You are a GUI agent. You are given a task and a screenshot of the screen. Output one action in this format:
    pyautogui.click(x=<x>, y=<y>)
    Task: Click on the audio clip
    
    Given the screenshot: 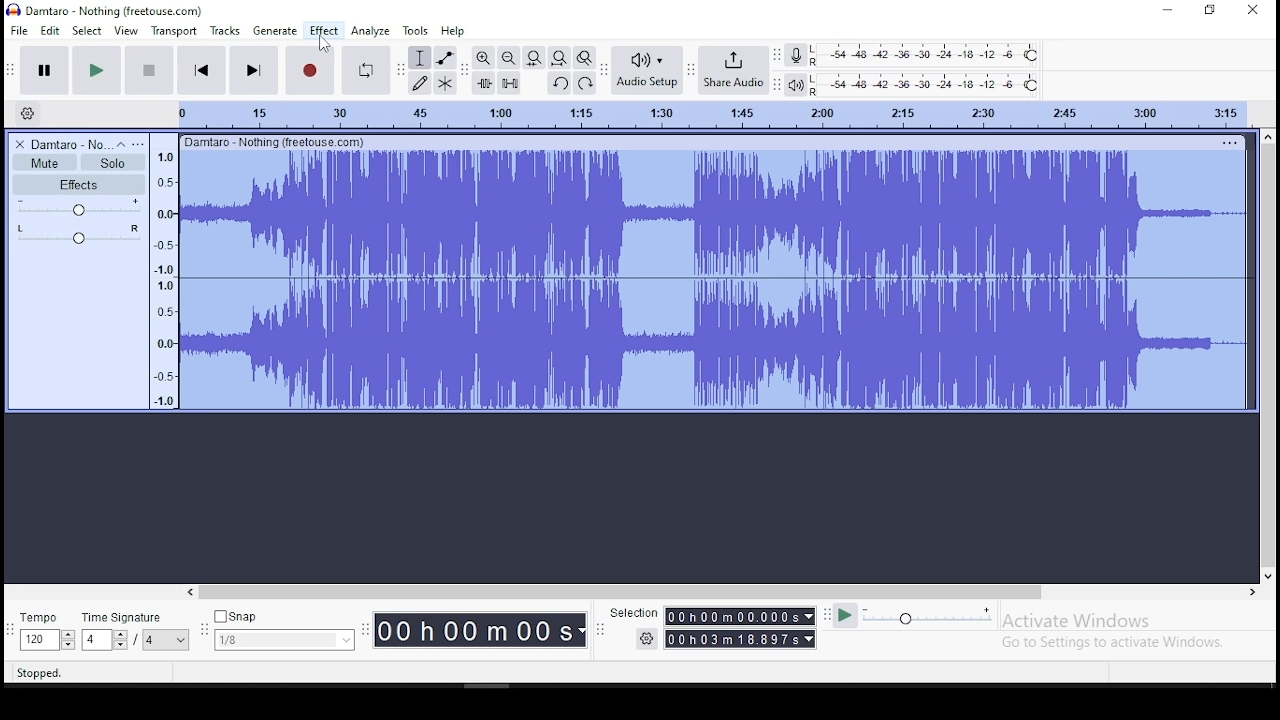 What is the action you would take?
    pyautogui.click(x=716, y=279)
    